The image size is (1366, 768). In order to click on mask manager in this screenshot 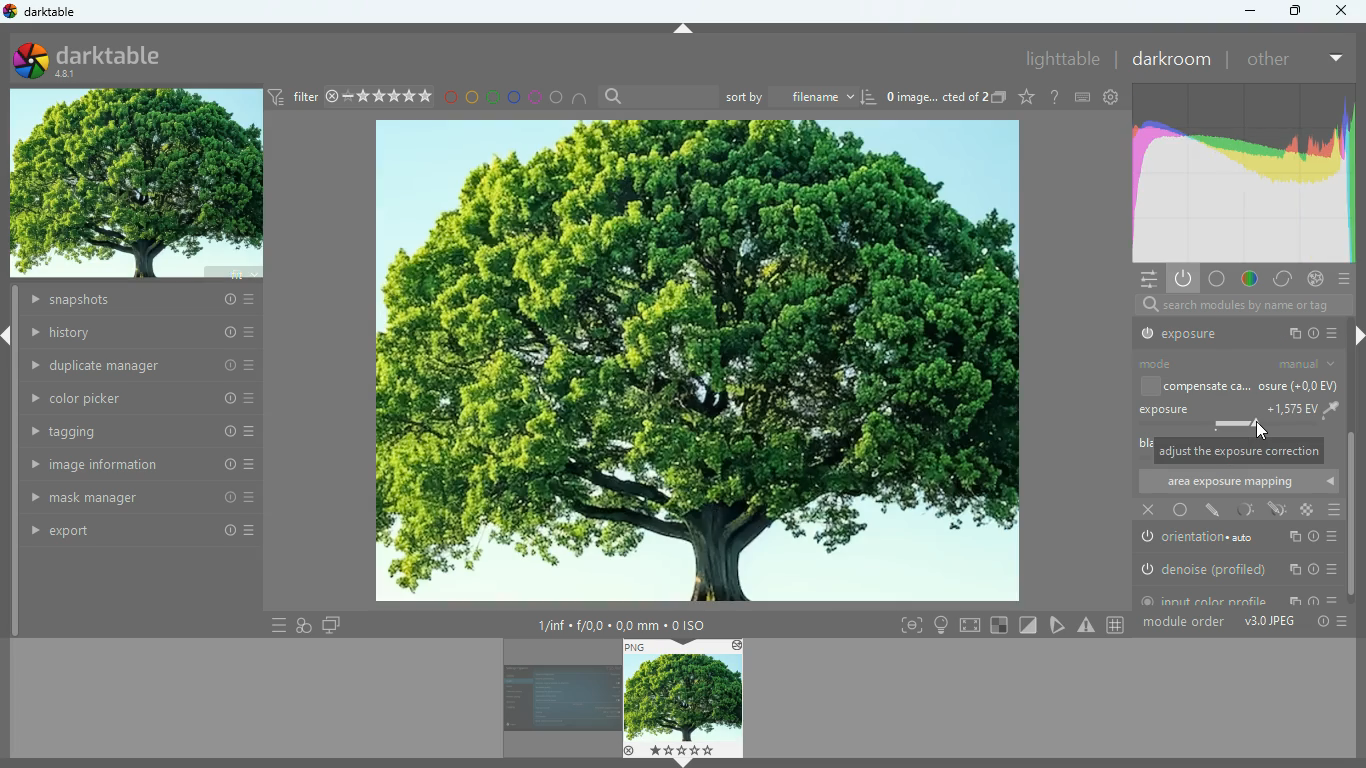, I will do `click(131, 500)`.